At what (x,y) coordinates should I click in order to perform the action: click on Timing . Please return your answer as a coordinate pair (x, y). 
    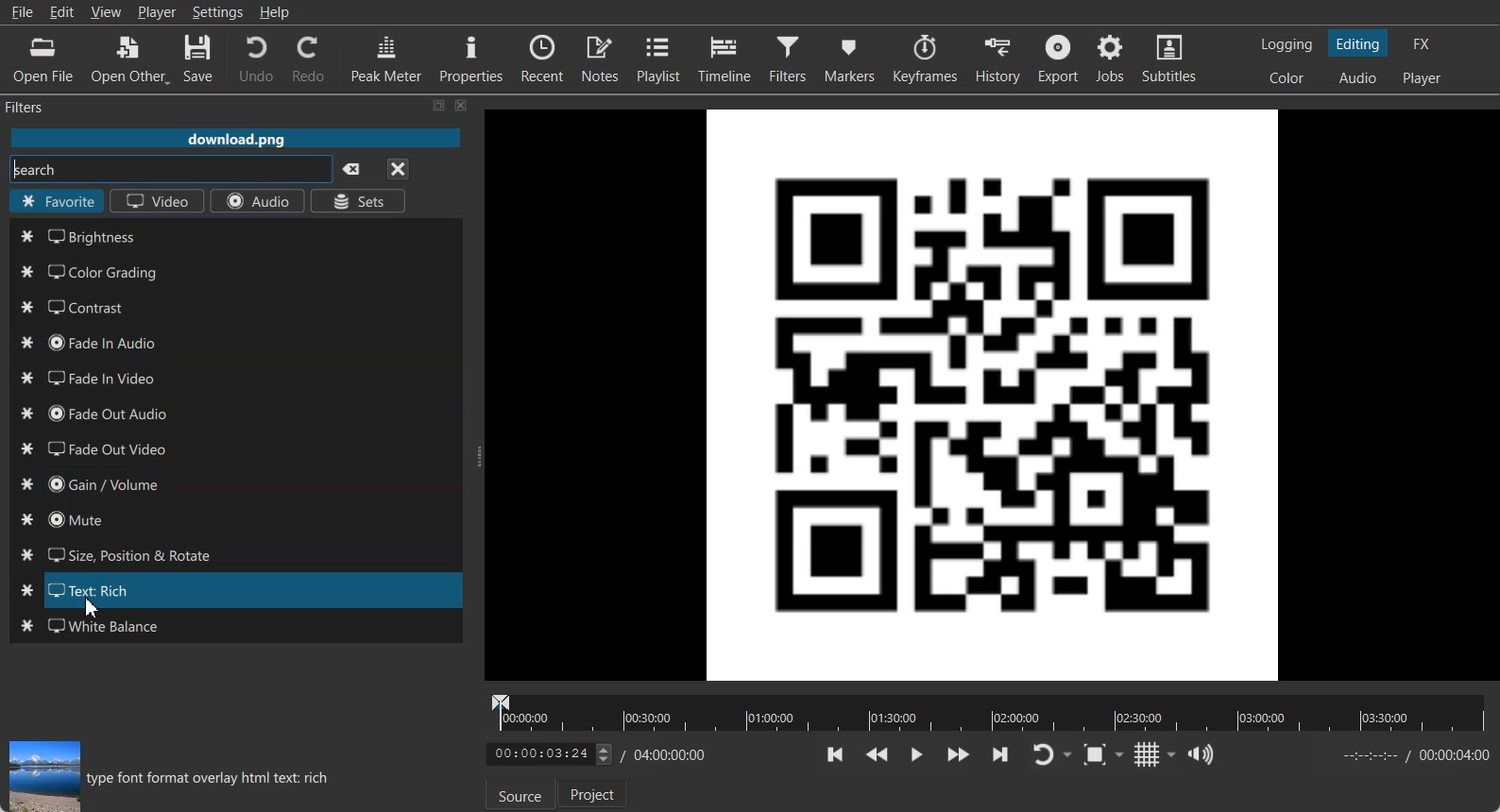
    Looking at the image, I should click on (666, 754).